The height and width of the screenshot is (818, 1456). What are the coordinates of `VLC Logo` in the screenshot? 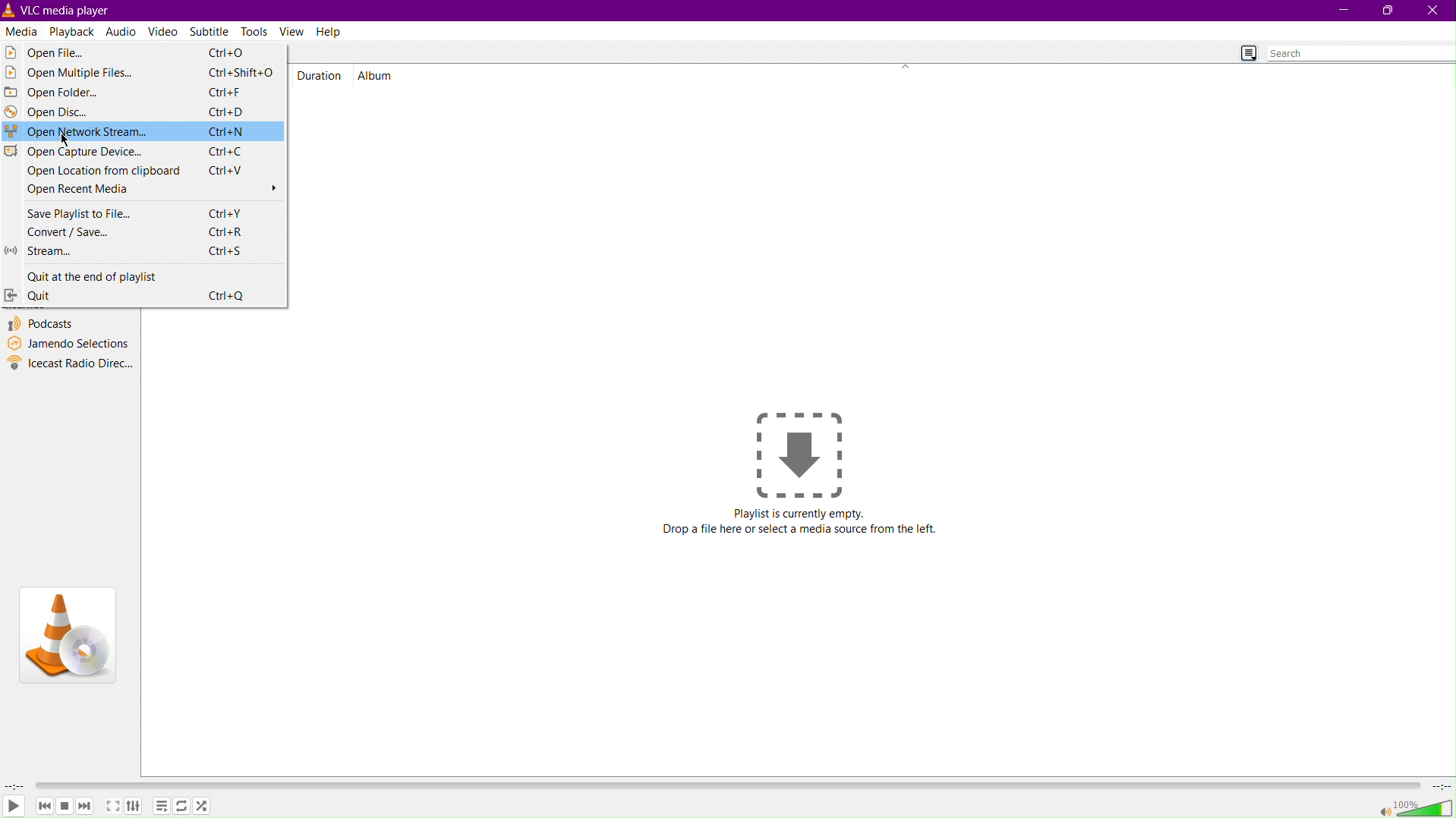 It's located at (68, 637).